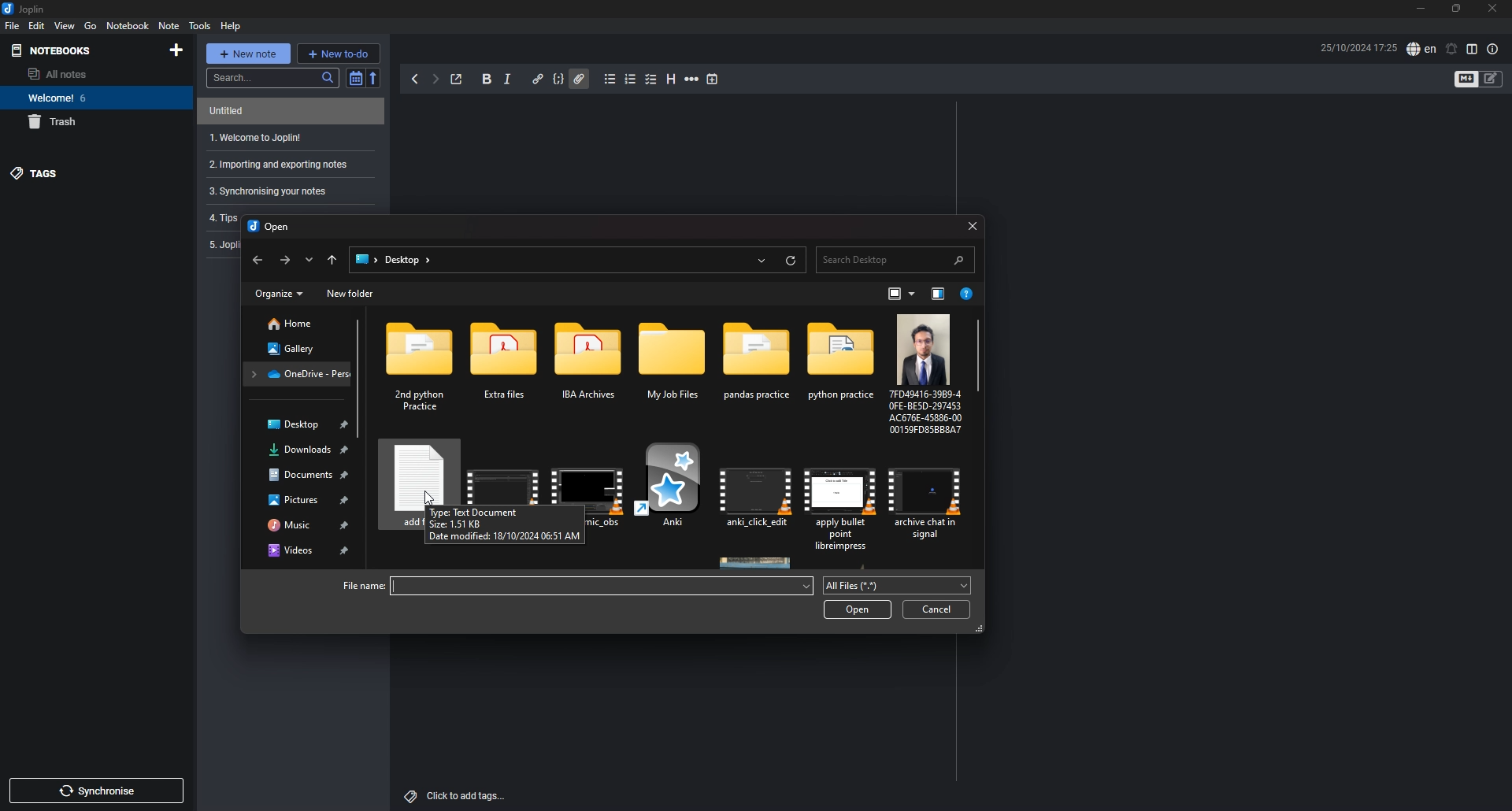  Describe the element at coordinates (670, 80) in the screenshot. I see `heading` at that location.